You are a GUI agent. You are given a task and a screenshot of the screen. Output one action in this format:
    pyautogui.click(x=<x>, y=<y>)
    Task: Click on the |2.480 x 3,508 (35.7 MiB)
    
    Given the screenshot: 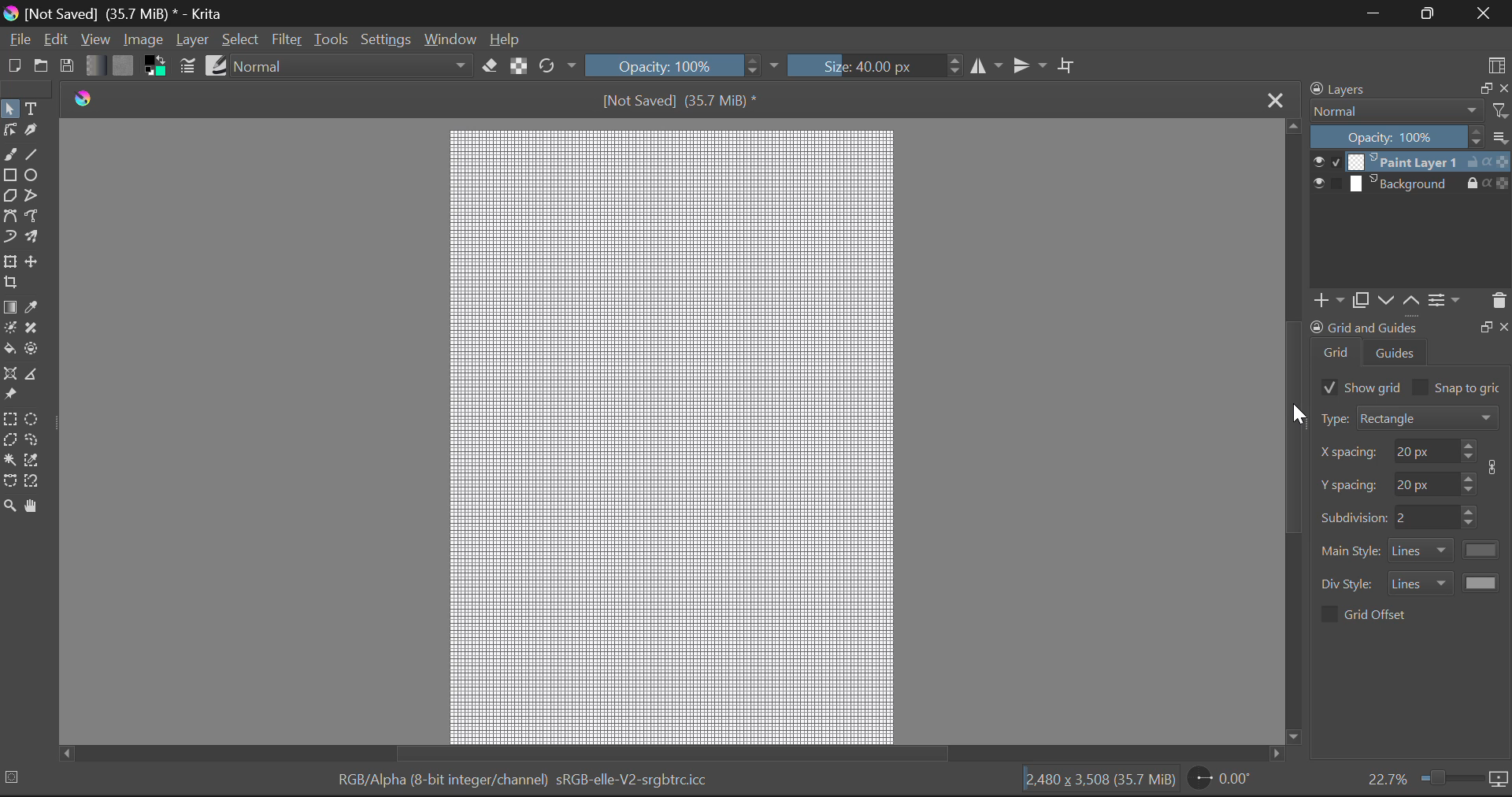 What is the action you would take?
    pyautogui.click(x=1099, y=781)
    